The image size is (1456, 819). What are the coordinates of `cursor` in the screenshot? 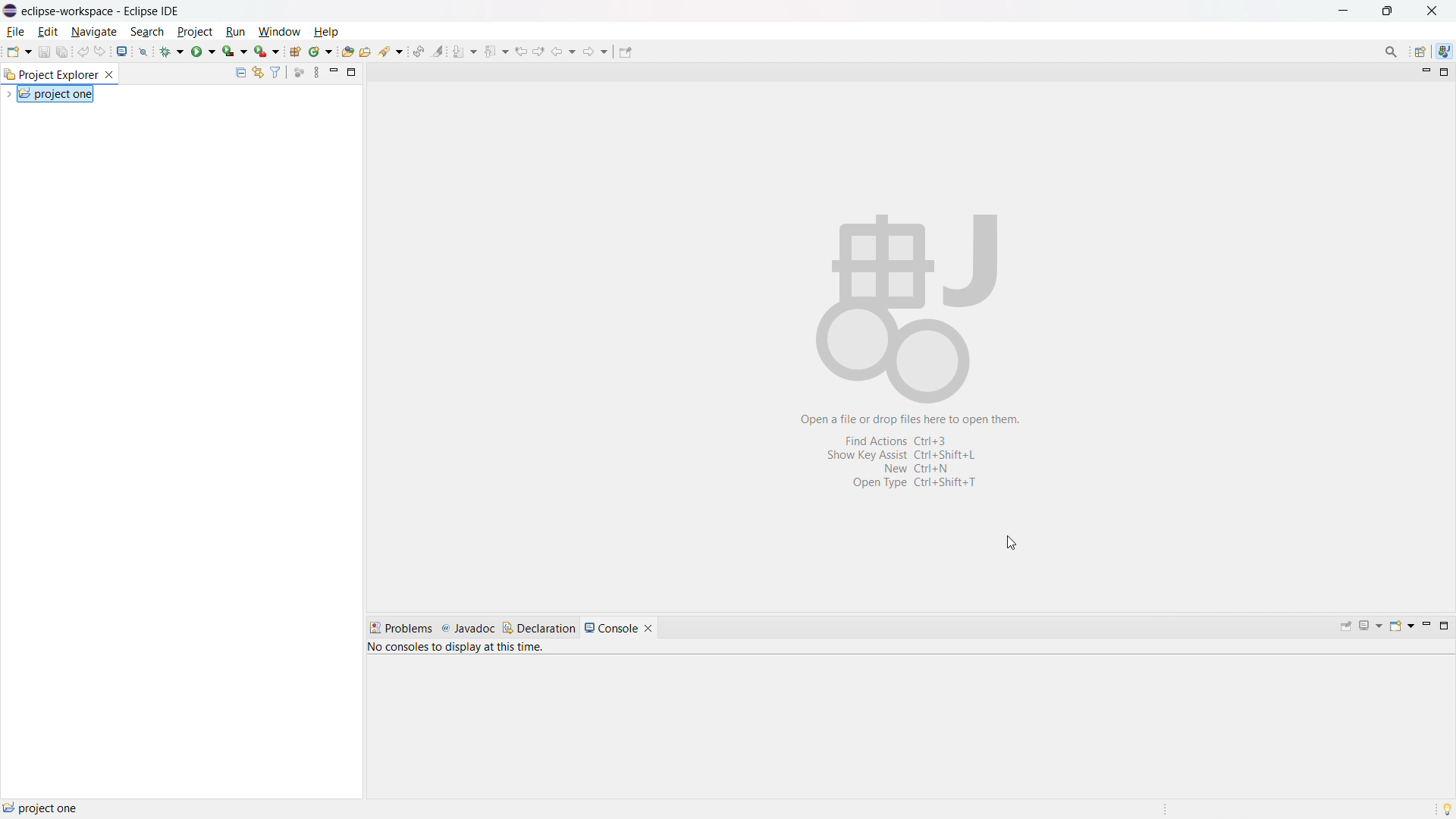 It's located at (1009, 543).